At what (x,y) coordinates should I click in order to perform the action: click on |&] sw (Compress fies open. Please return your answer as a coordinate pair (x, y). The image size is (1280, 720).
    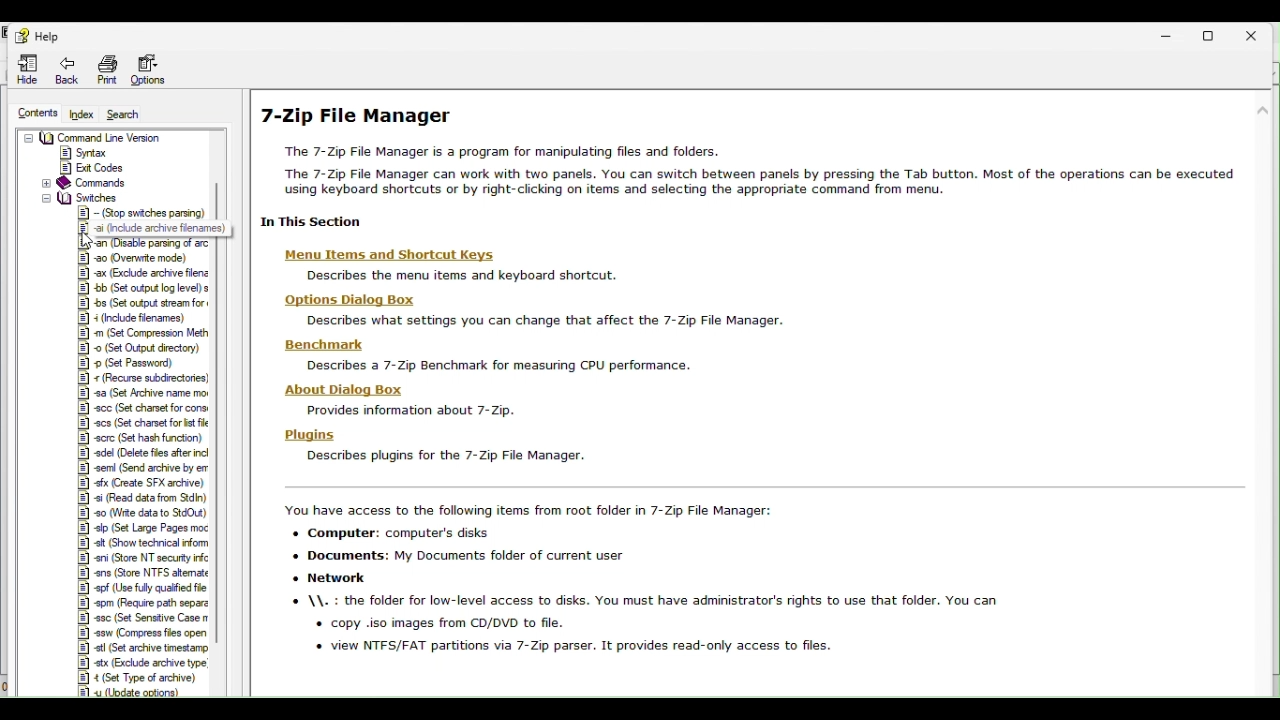
    Looking at the image, I should click on (144, 632).